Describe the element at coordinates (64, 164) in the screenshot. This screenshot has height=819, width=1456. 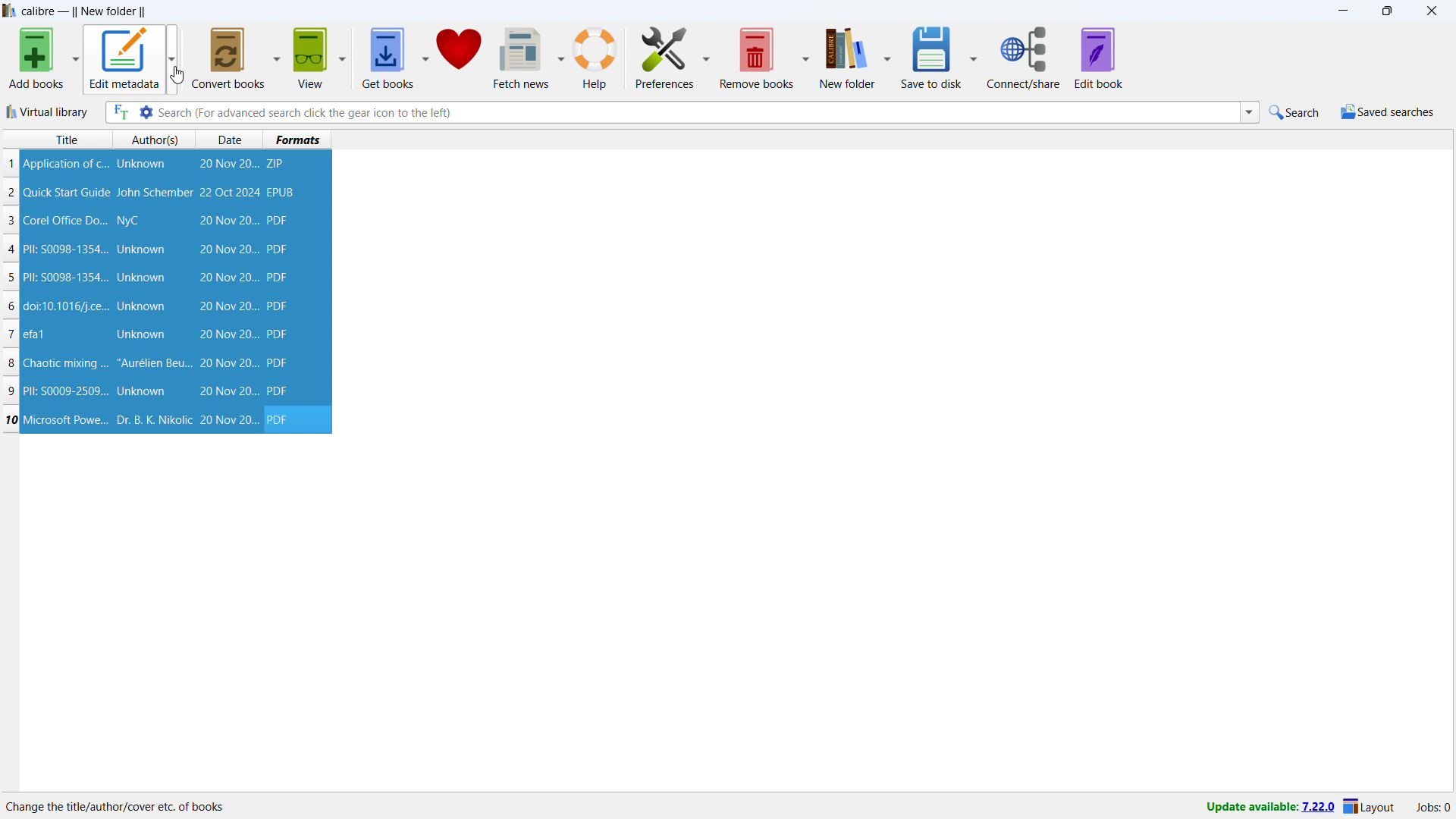
I see `Application of c...` at that location.